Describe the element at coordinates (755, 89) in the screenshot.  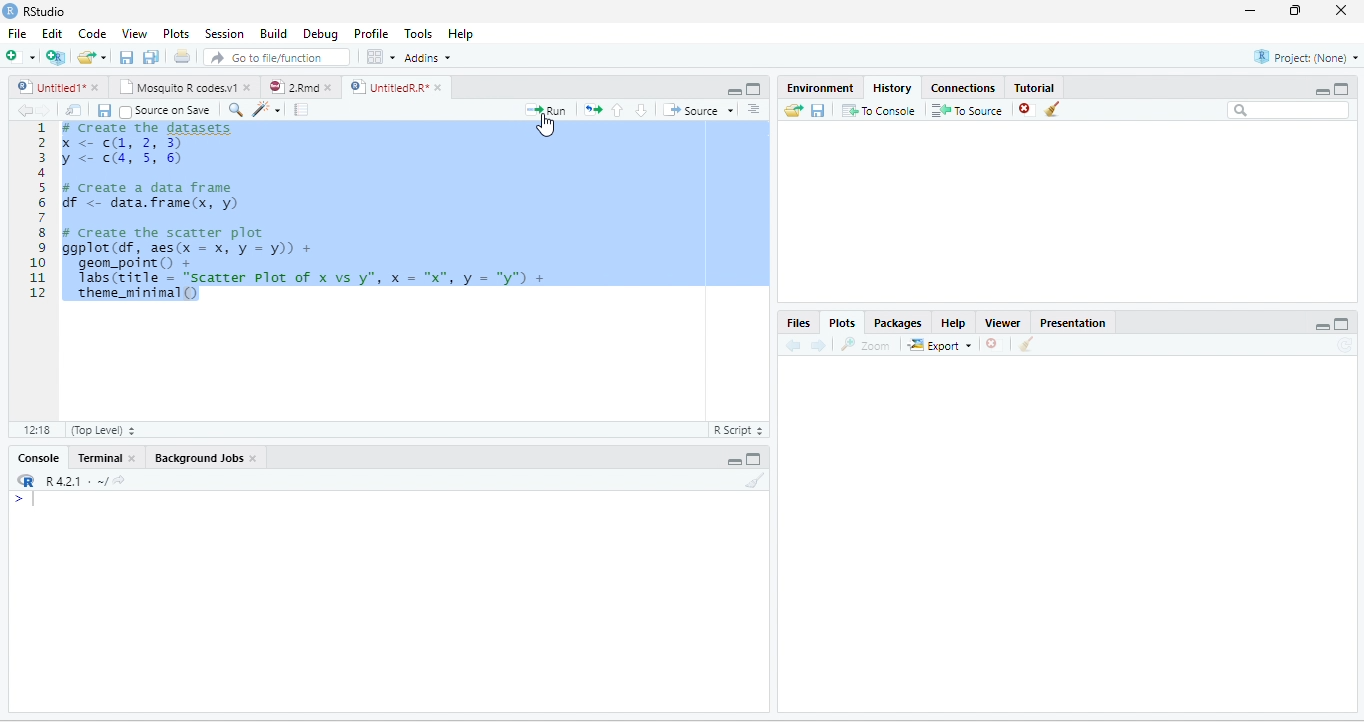
I see `Maximize` at that location.